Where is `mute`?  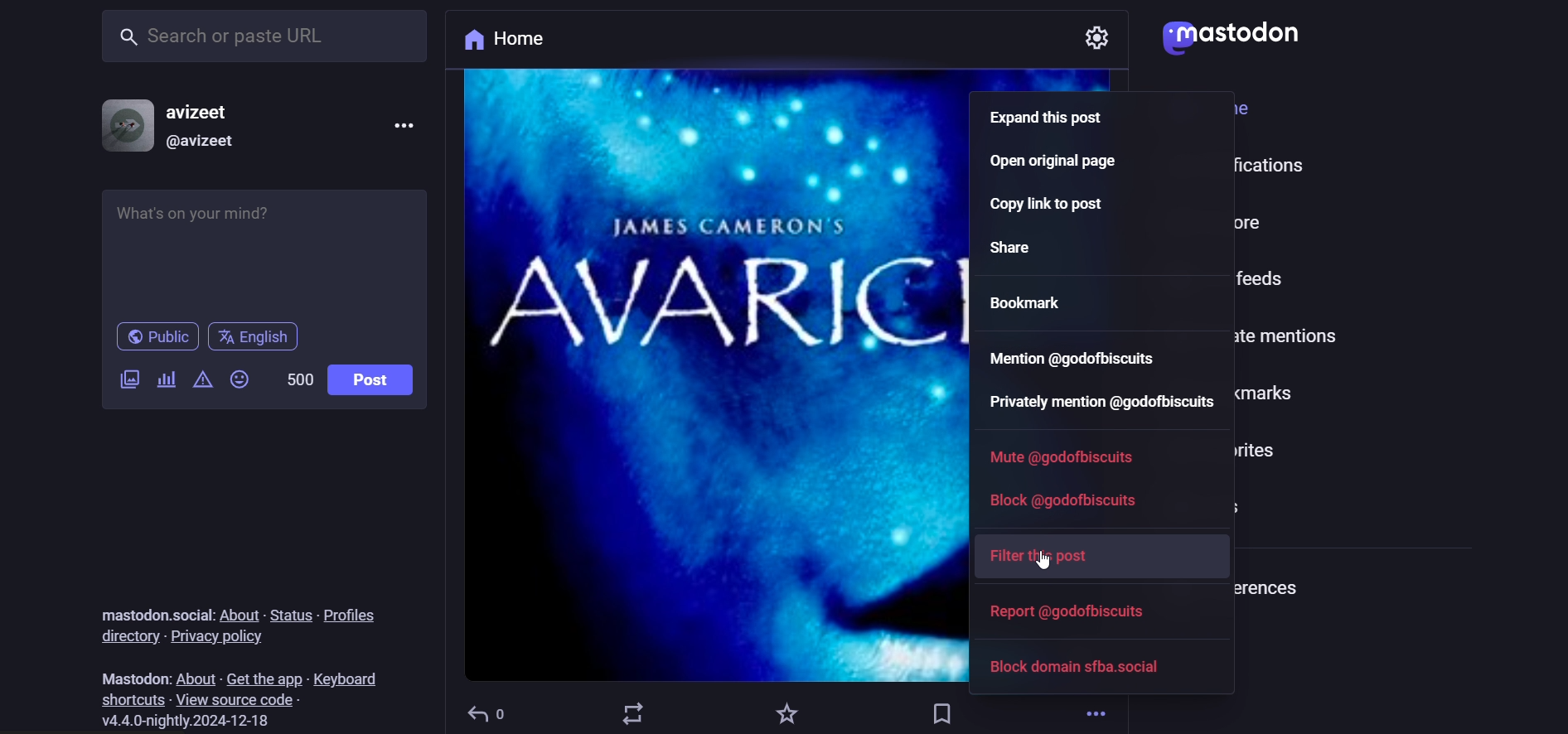
mute is located at coordinates (1065, 457).